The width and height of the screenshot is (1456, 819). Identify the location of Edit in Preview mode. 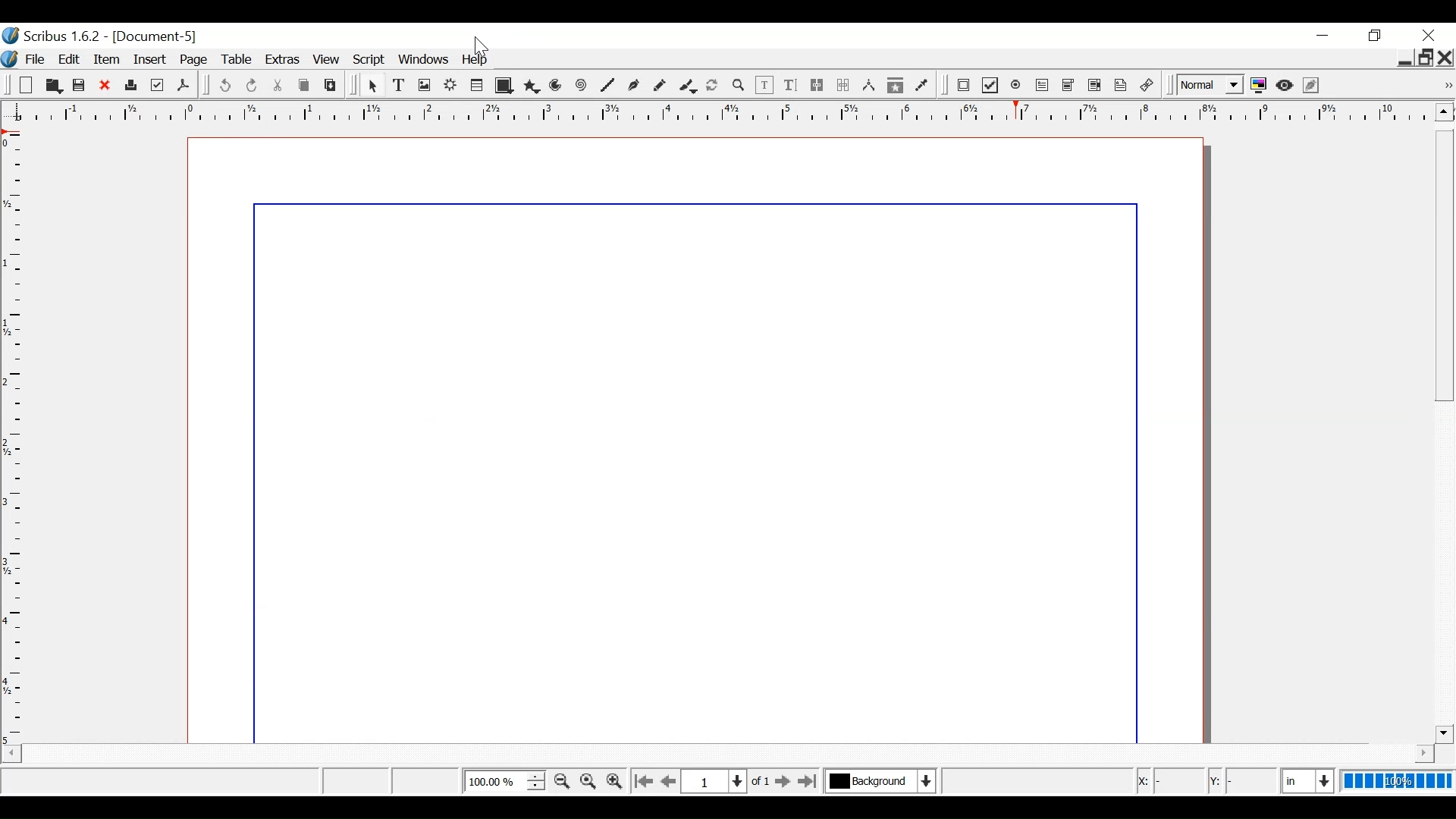
(1313, 85).